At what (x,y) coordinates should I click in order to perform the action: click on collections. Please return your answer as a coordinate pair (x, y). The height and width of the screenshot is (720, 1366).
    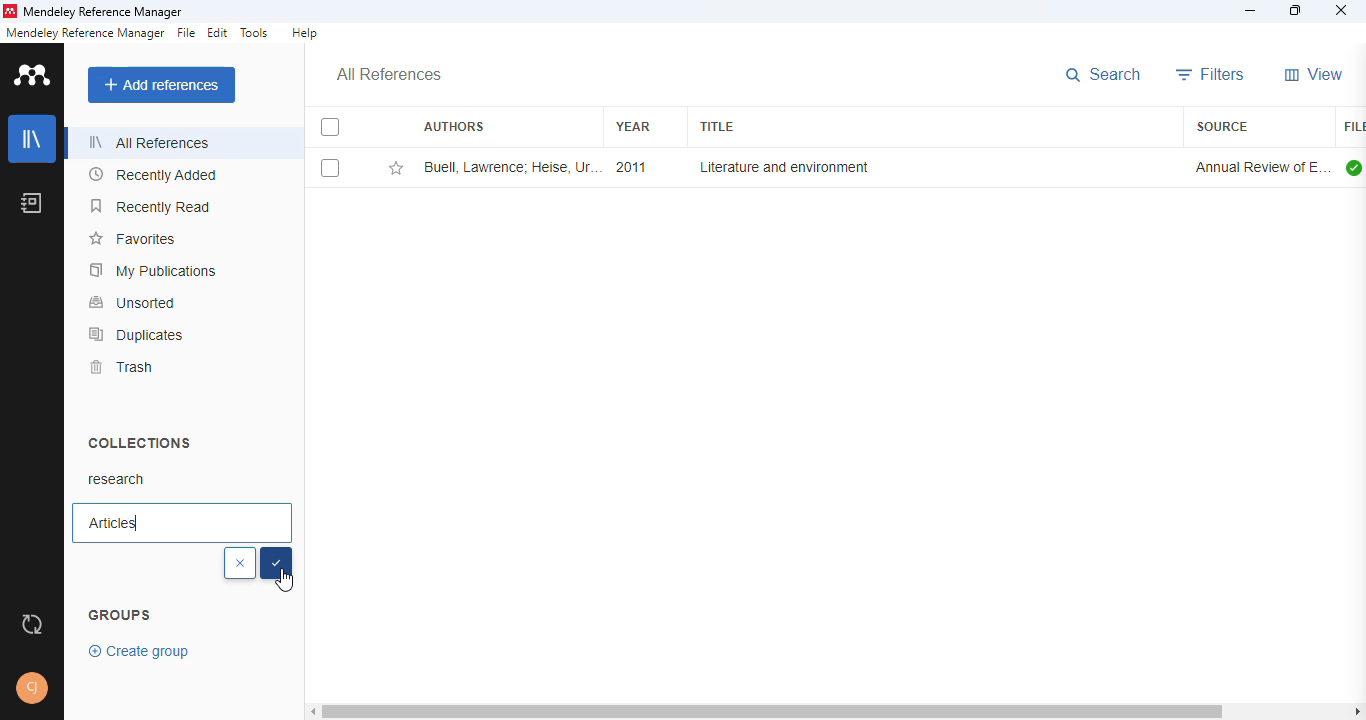
    Looking at the image, I should click on (141, 443).